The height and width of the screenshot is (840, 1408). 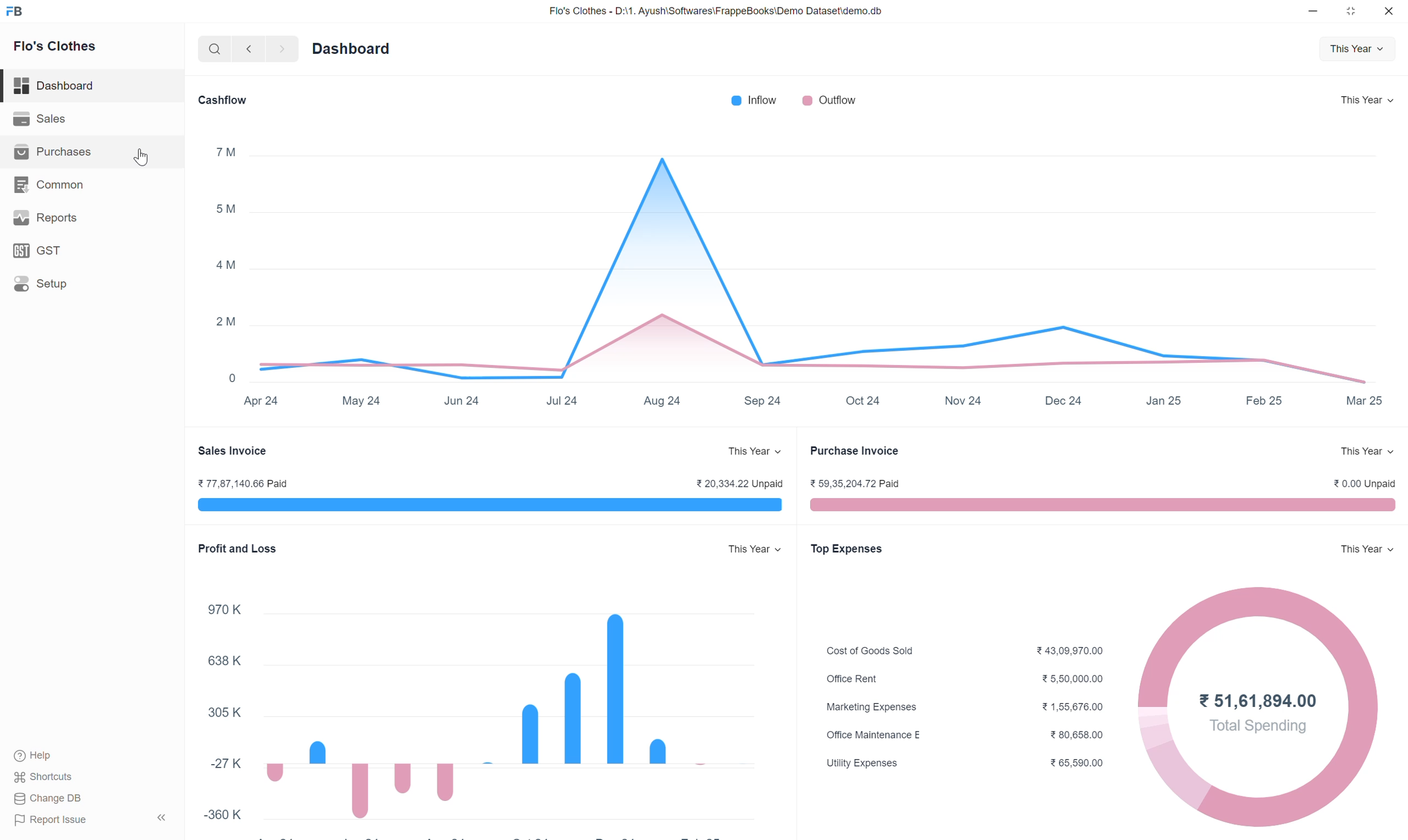 What do you see at coordinates (490, 504) in the screenshot?
I see `paid/unpaid` at bounding box center [490, 504].